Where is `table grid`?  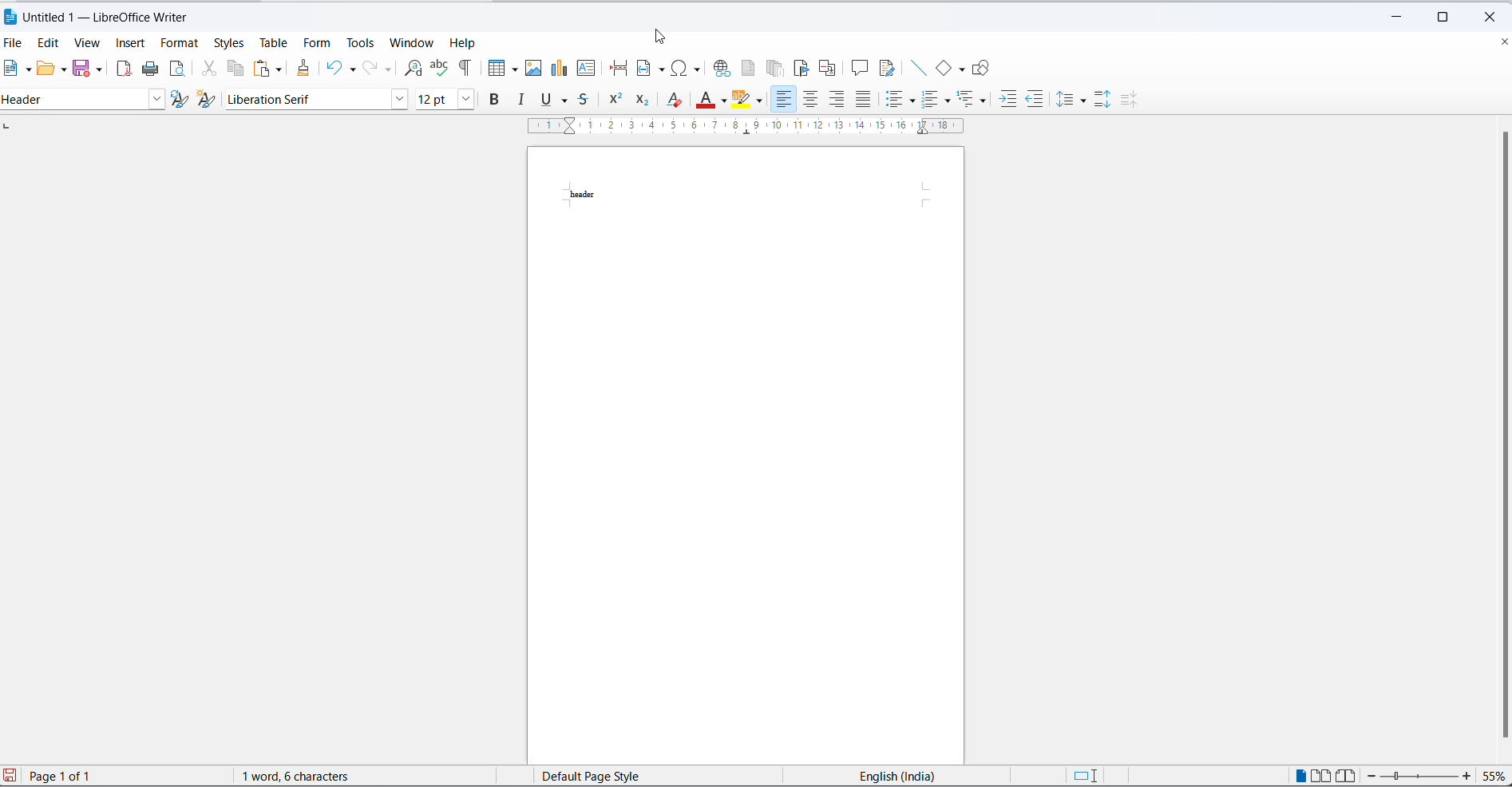
table grid is located at coordinates (513, 69).